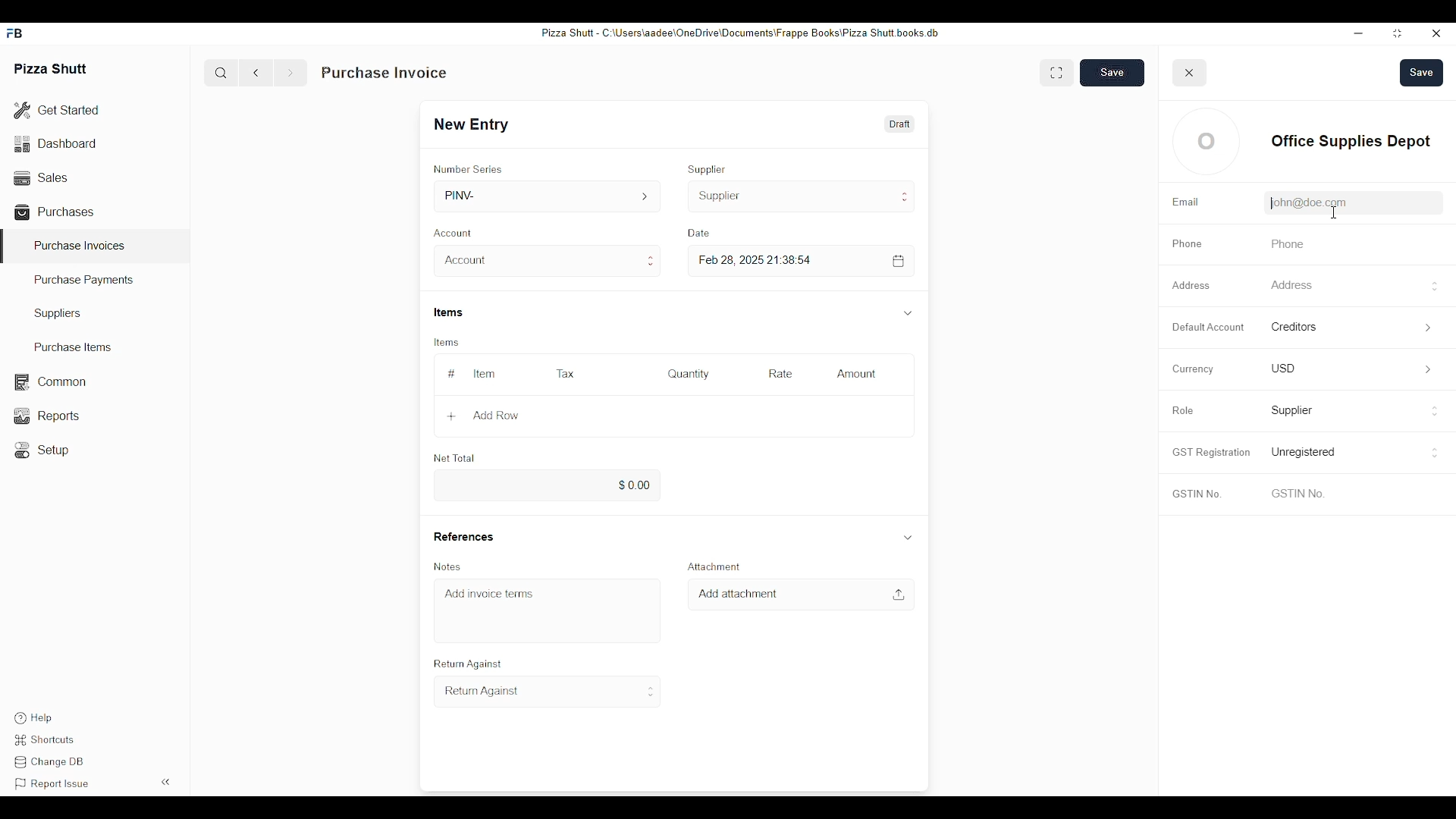 The width and height of the screenshot is (1456, 819). What do you see at coordinates (32, 718) in the screenshot?
I see `Help` at bounding box center [32, 718].